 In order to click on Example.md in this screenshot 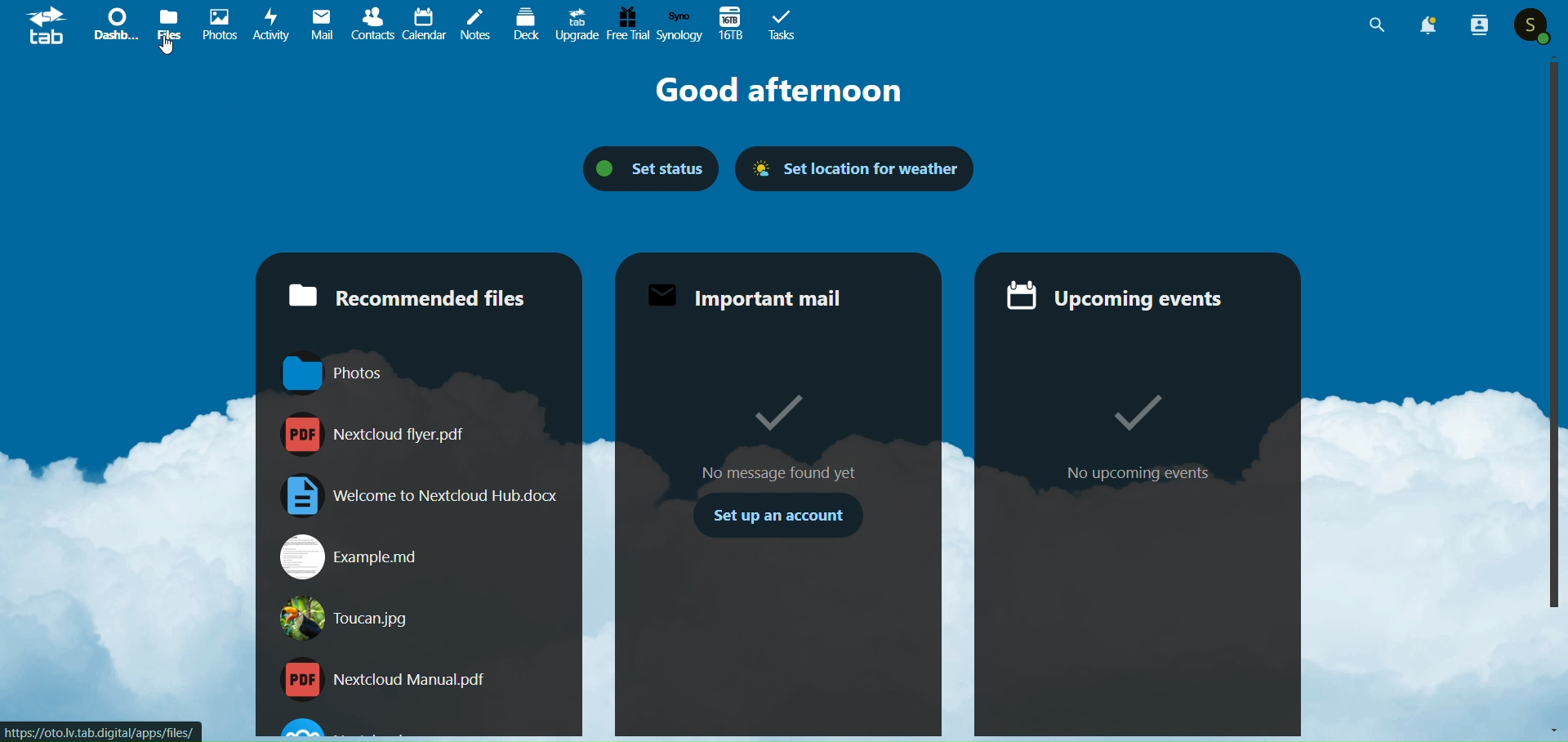, I will do `click(421, 557)`.